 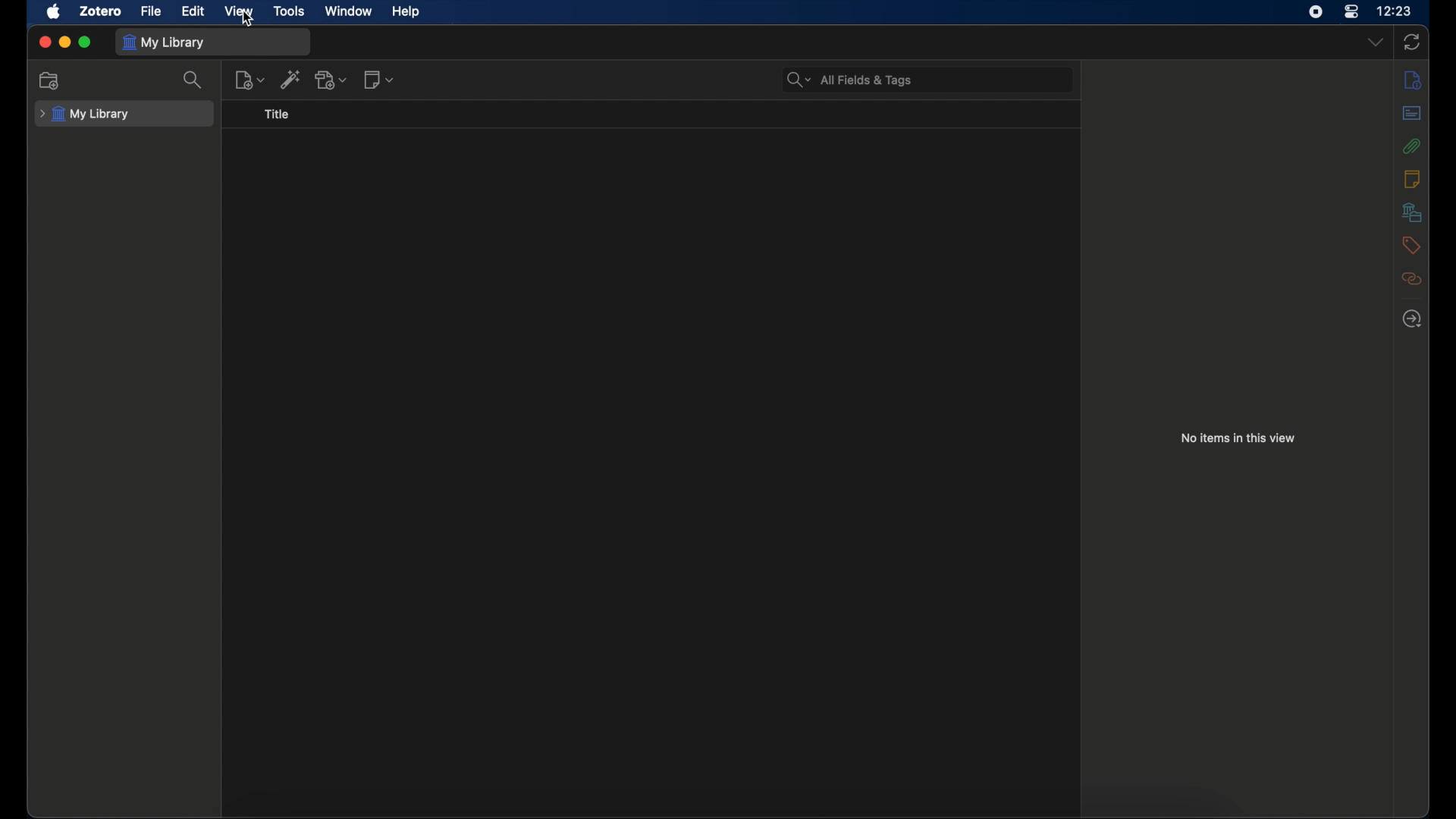 I want to click on related, so click(x=1412, y=278).